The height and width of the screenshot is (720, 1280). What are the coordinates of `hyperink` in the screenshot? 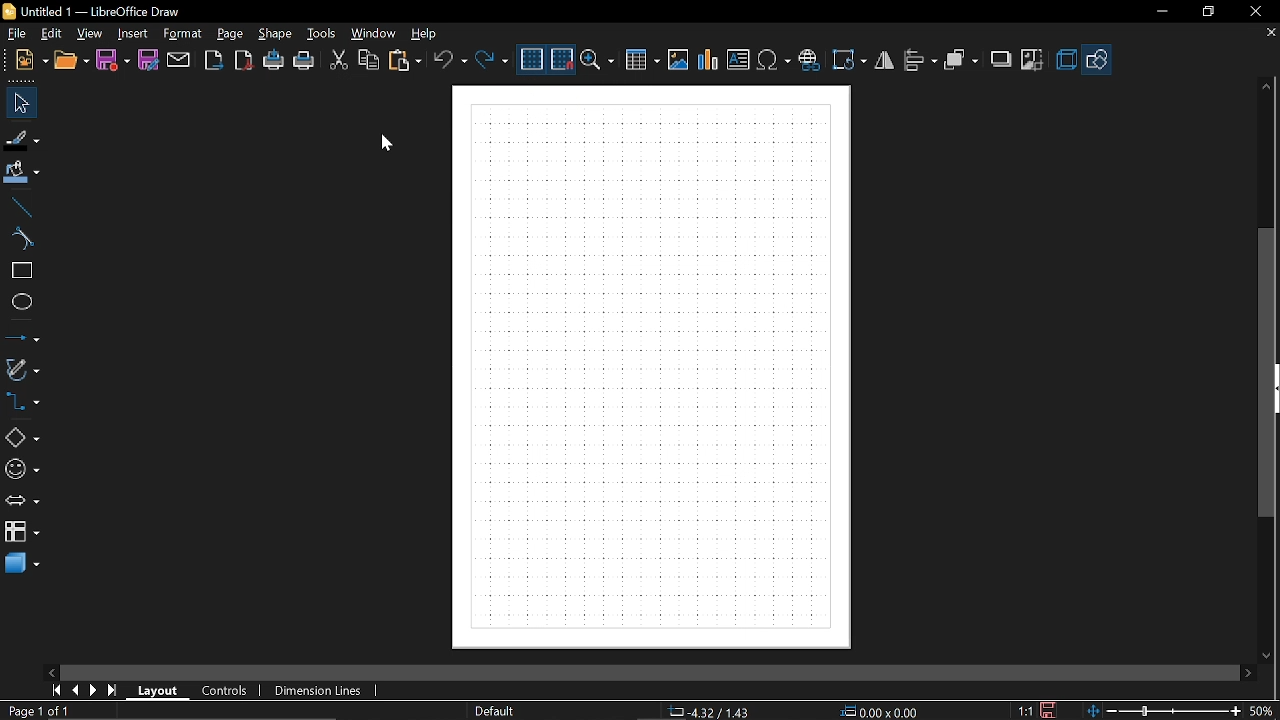 It's located at (809, 58).